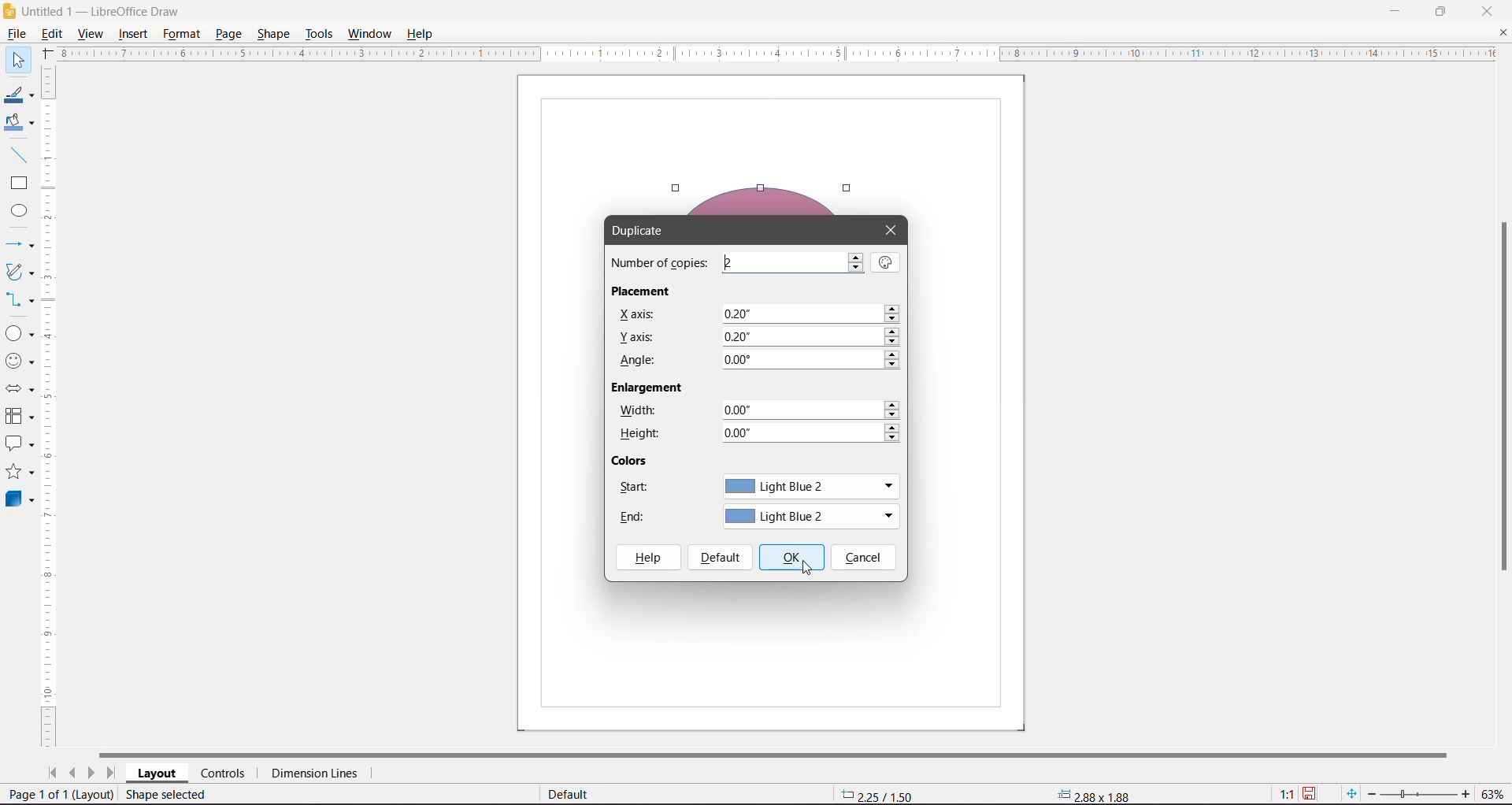  Describe the element at coordinates (639, 362) in the screenshot. I see `Angle` at that location.